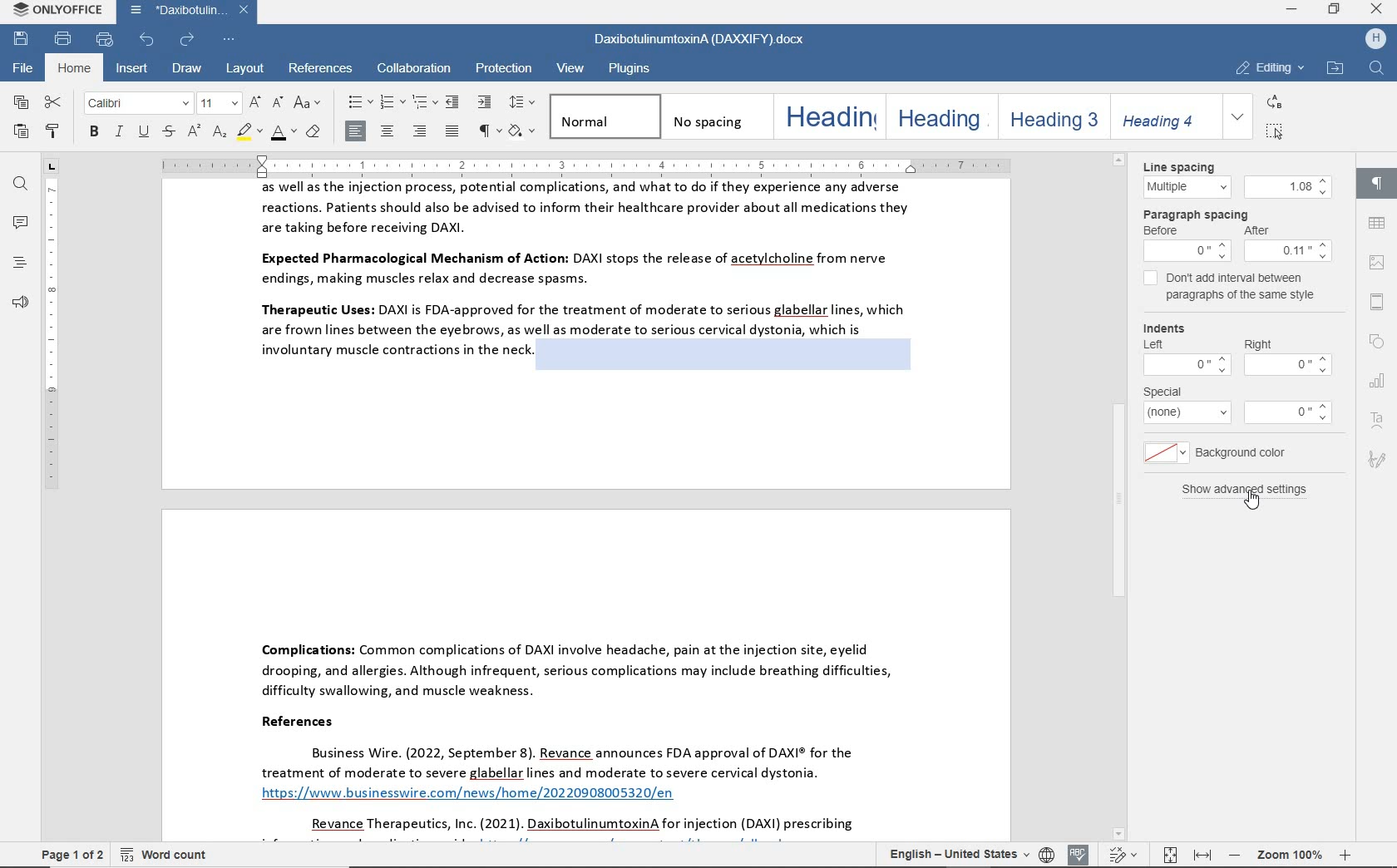 The image size is (1397, 868). I want to click on align left, so click(420, 131).